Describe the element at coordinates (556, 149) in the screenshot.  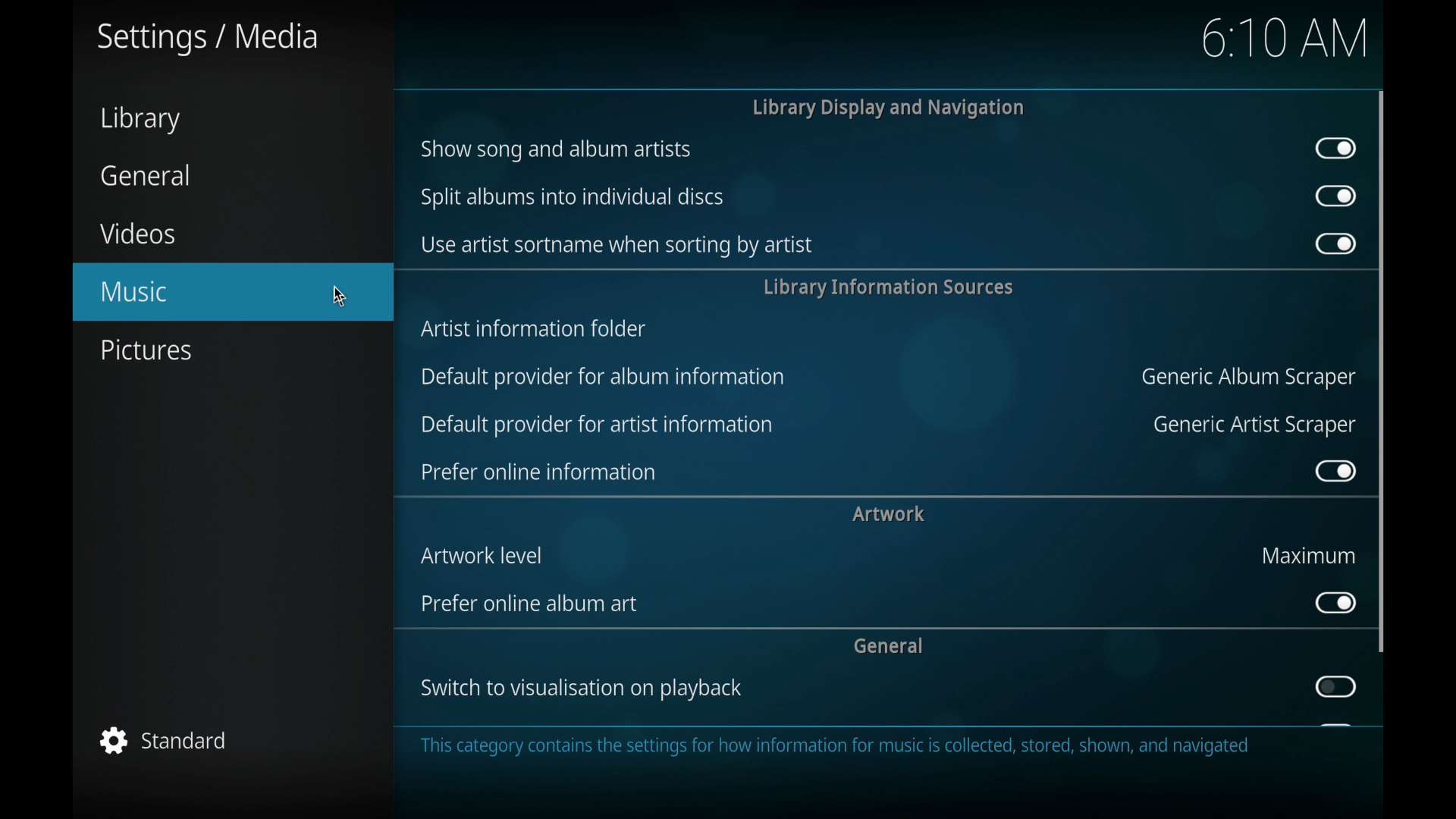
I see `show song` at that location.